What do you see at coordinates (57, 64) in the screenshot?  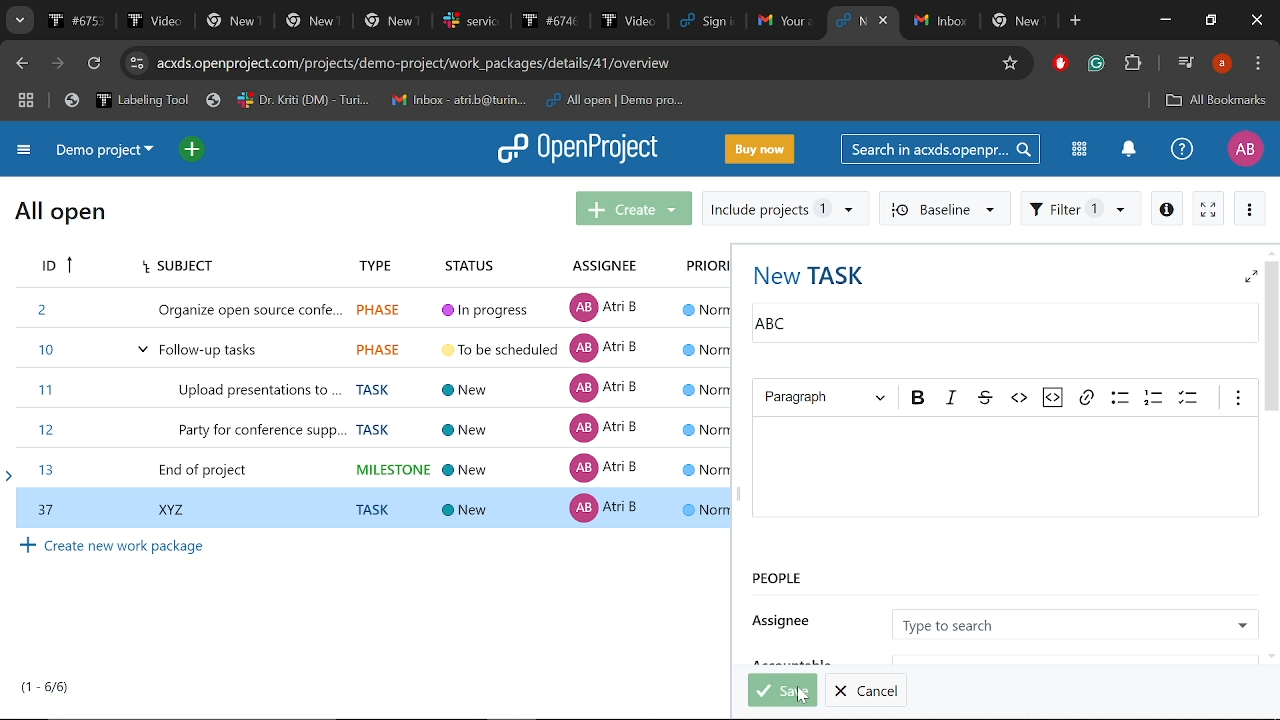 I see `next page` at bounding box center [57, 64].